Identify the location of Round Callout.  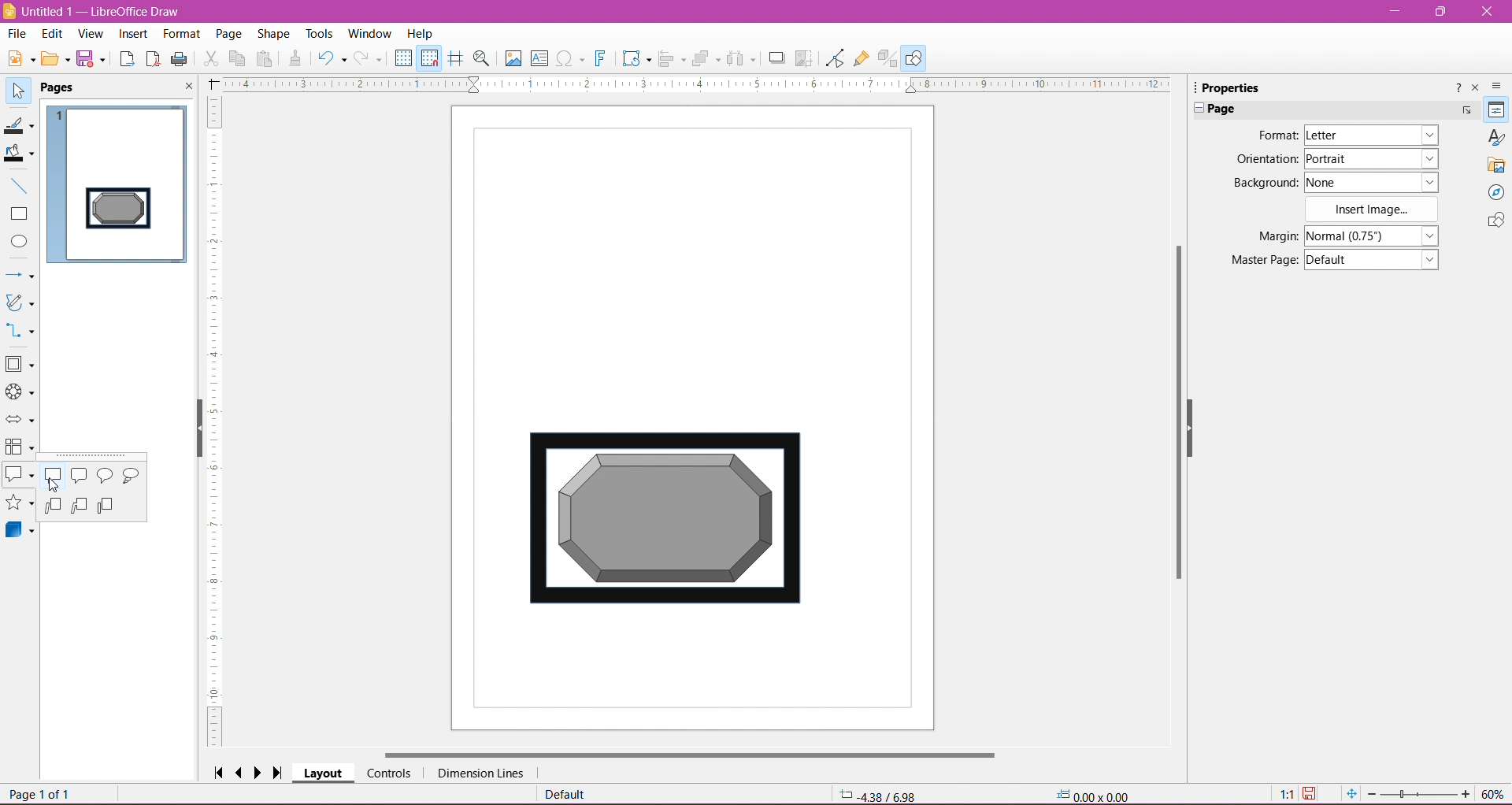
(106, 477).